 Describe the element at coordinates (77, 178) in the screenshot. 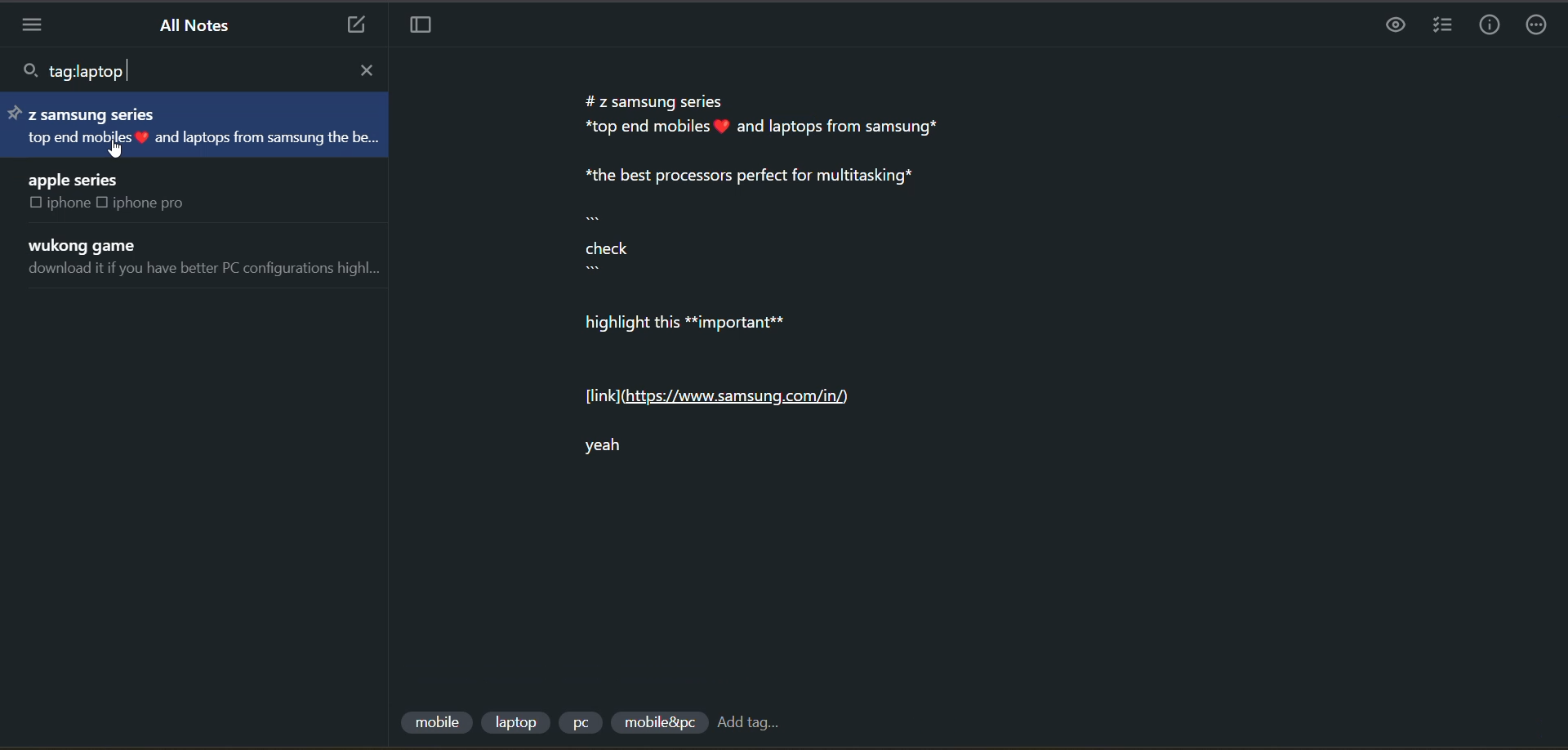

I see `apple series` at that location.